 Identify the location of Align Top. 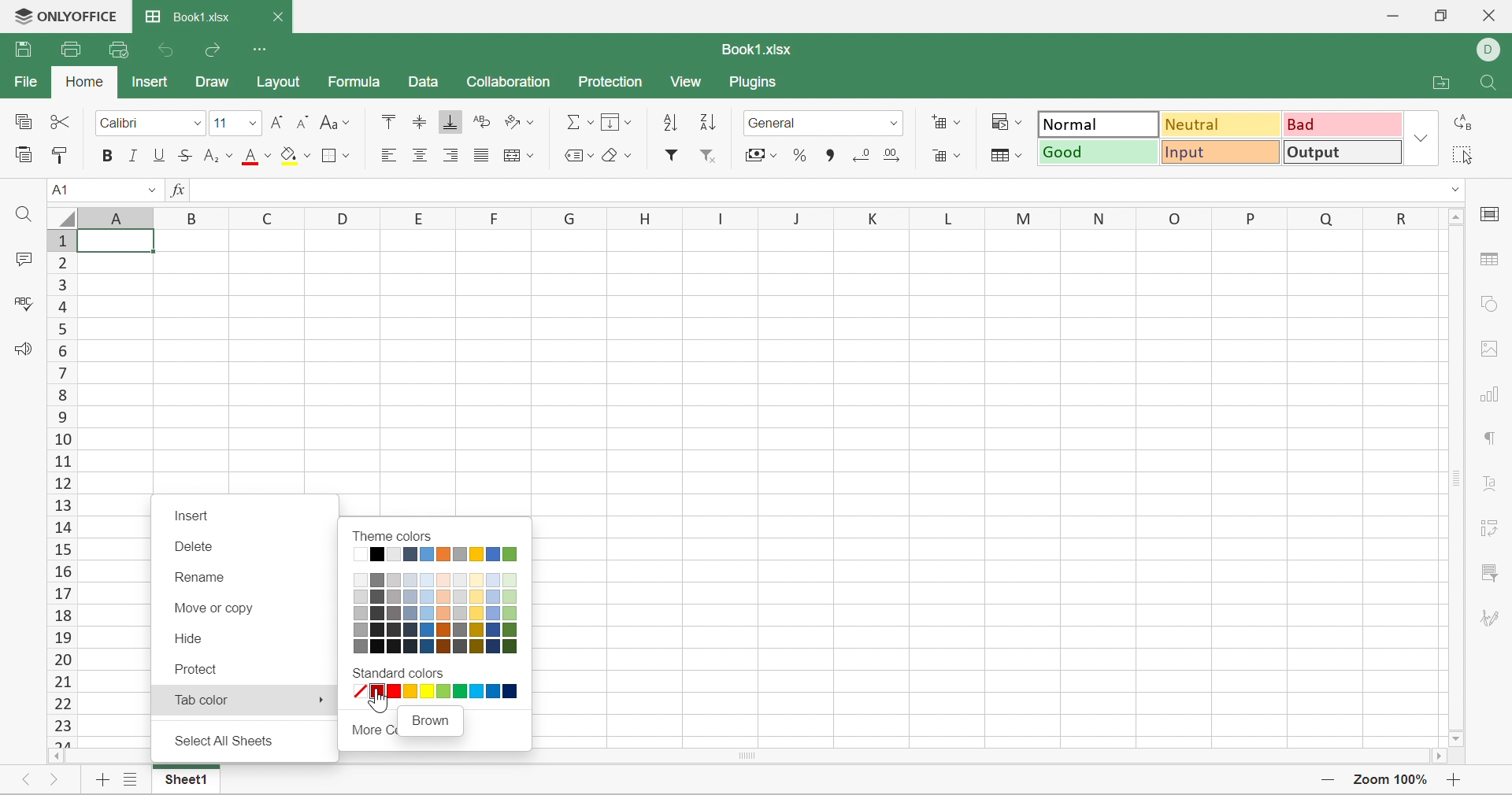
(385, 121).